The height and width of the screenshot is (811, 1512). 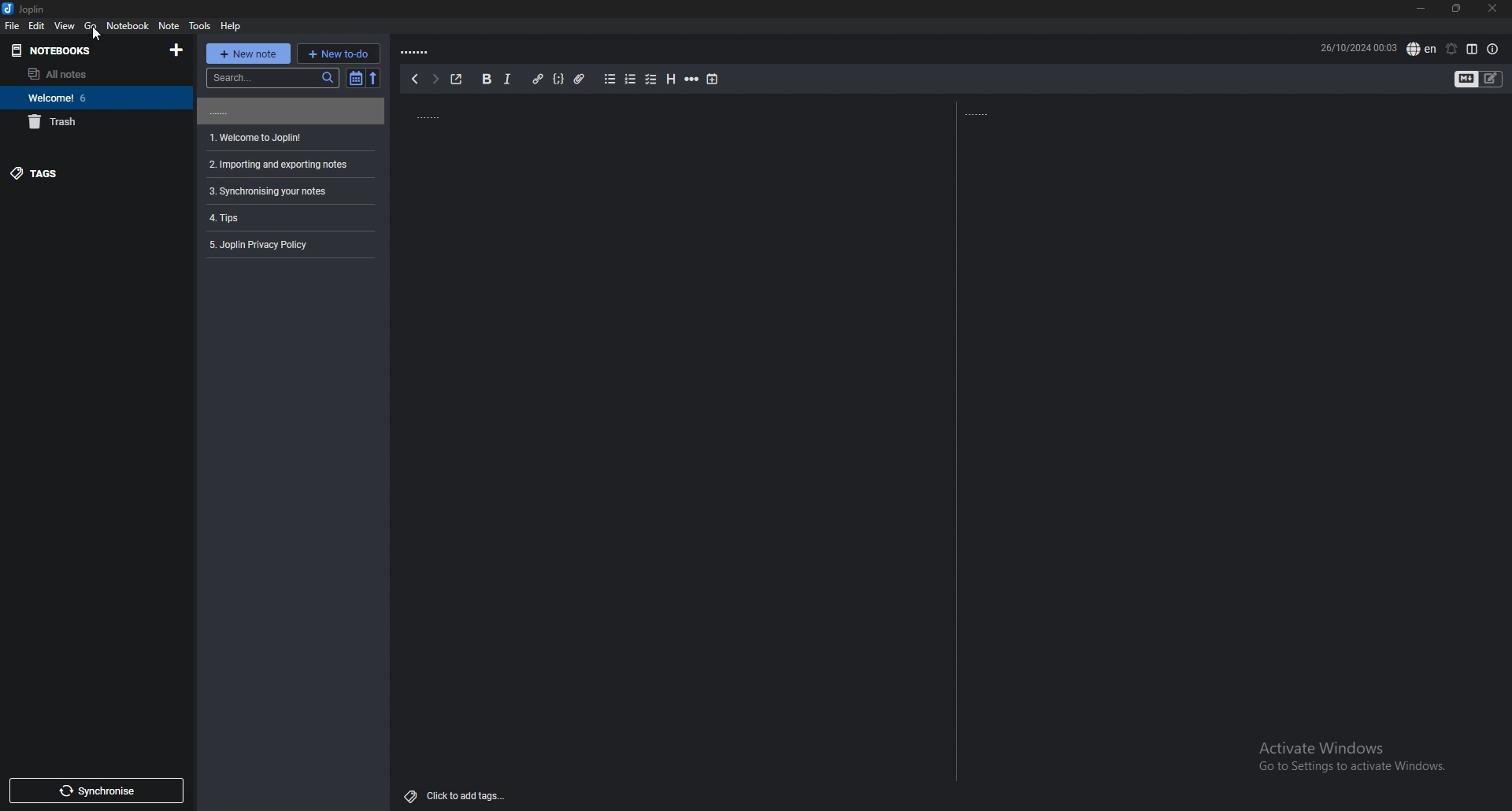 What do you see at coordinates (91, 25) in the screenshot?
I see `go` at bounding box center [91, 25].